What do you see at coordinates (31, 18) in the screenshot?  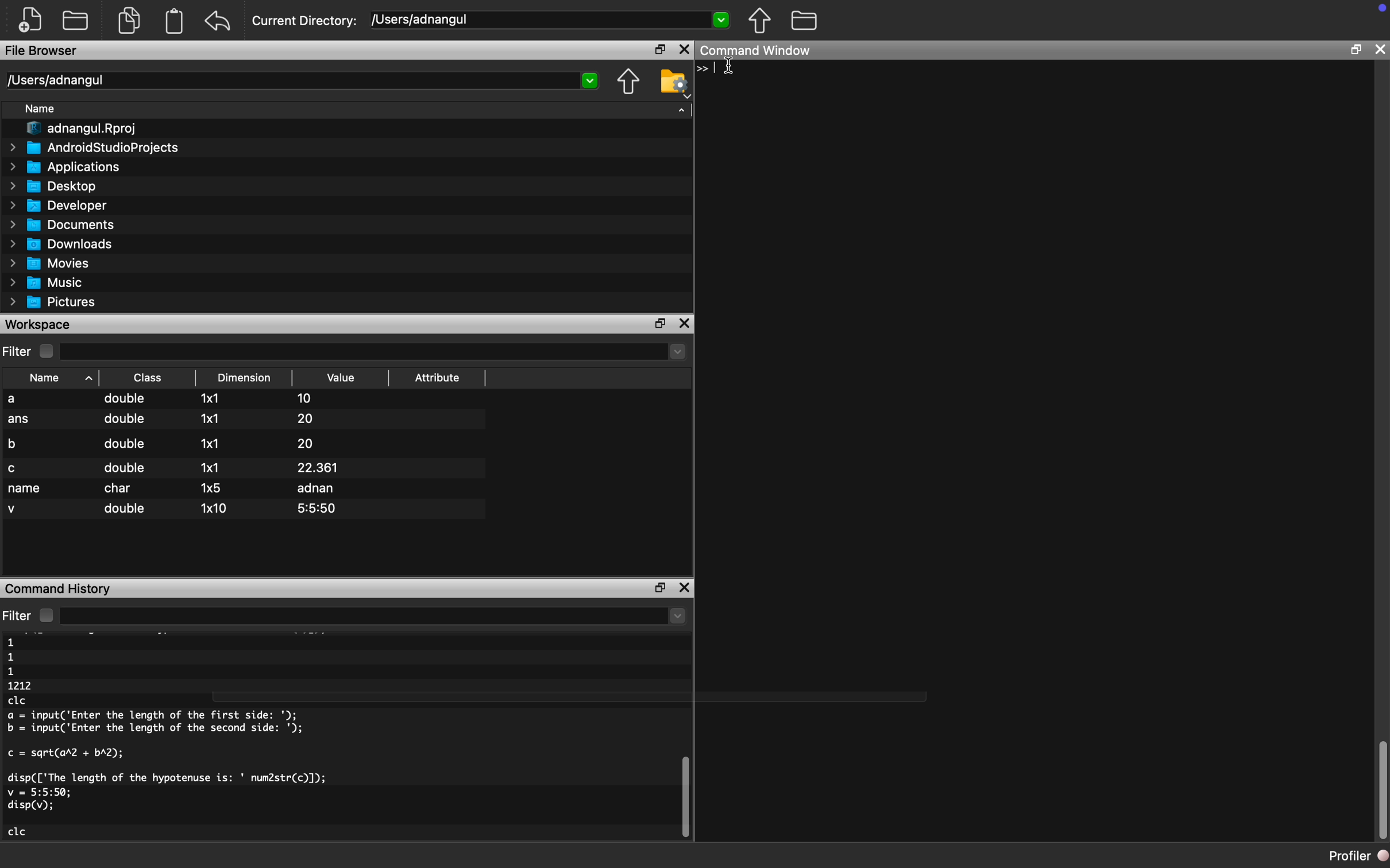 I see `New file` at bounding box center [31, 18].